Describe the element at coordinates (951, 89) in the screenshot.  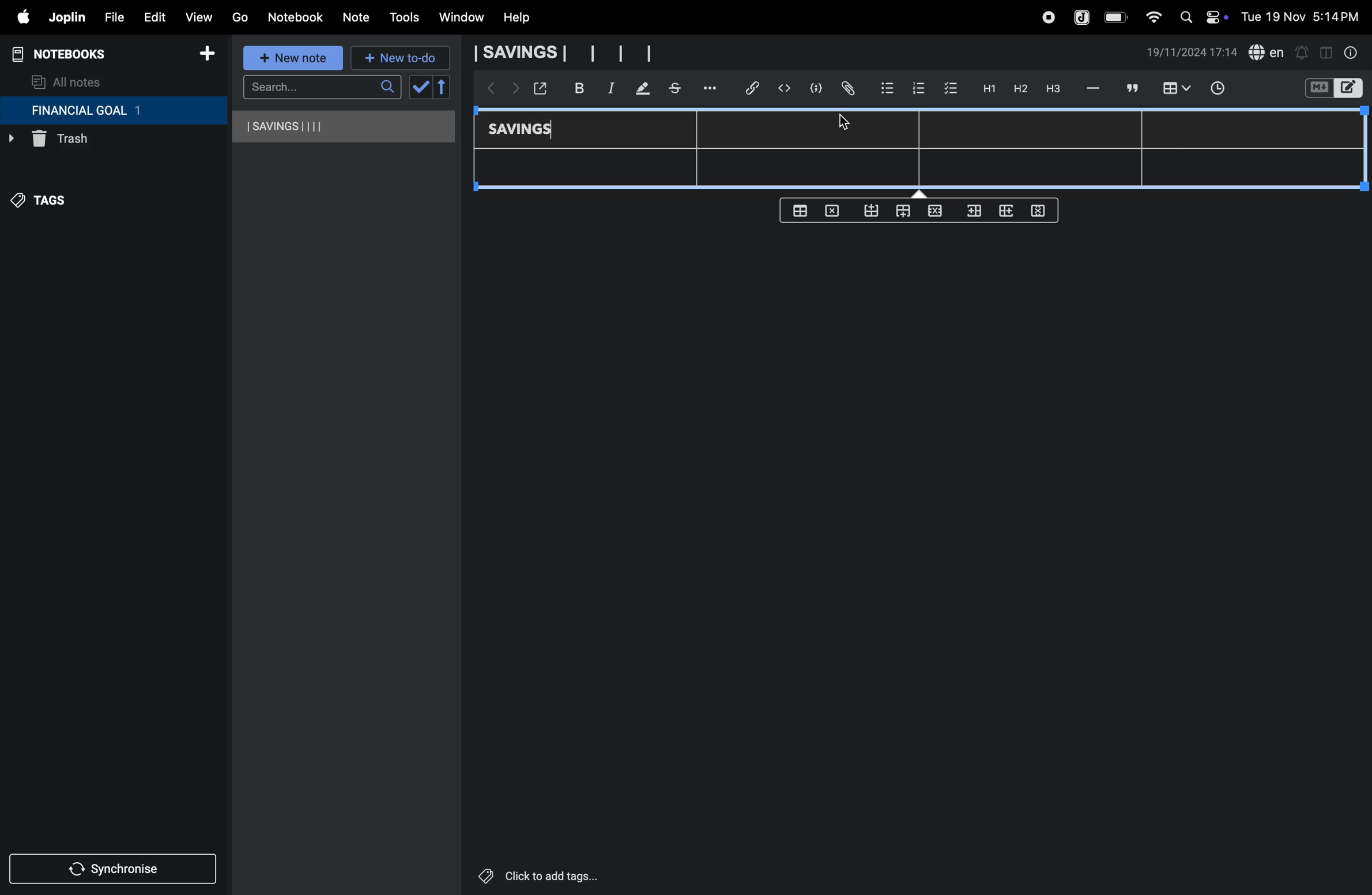
I see `check box` at that location.